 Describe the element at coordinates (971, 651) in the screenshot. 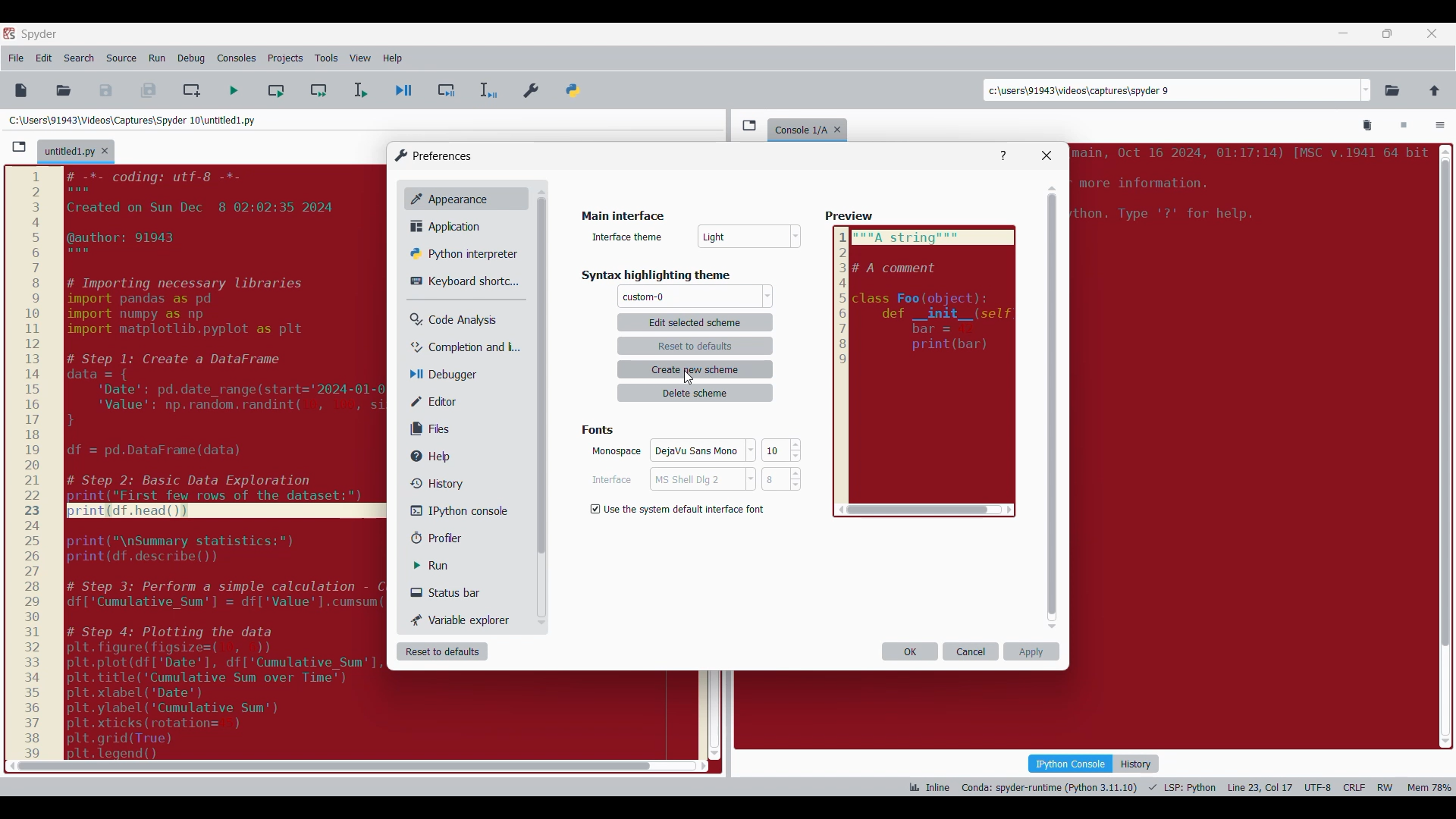

I see `Cancel` at that location.